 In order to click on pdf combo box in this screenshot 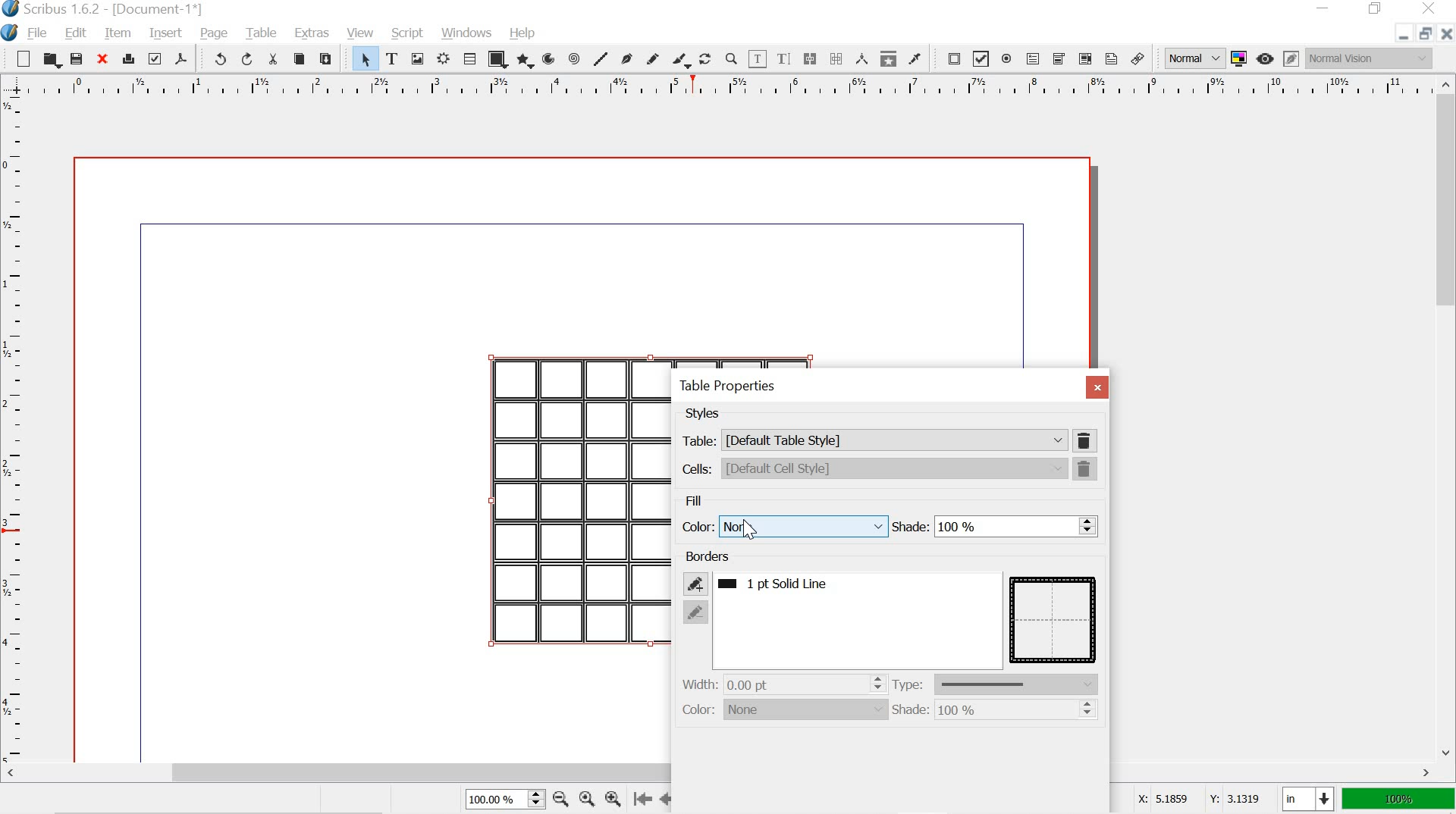, I will do `click(1059, 59)`.